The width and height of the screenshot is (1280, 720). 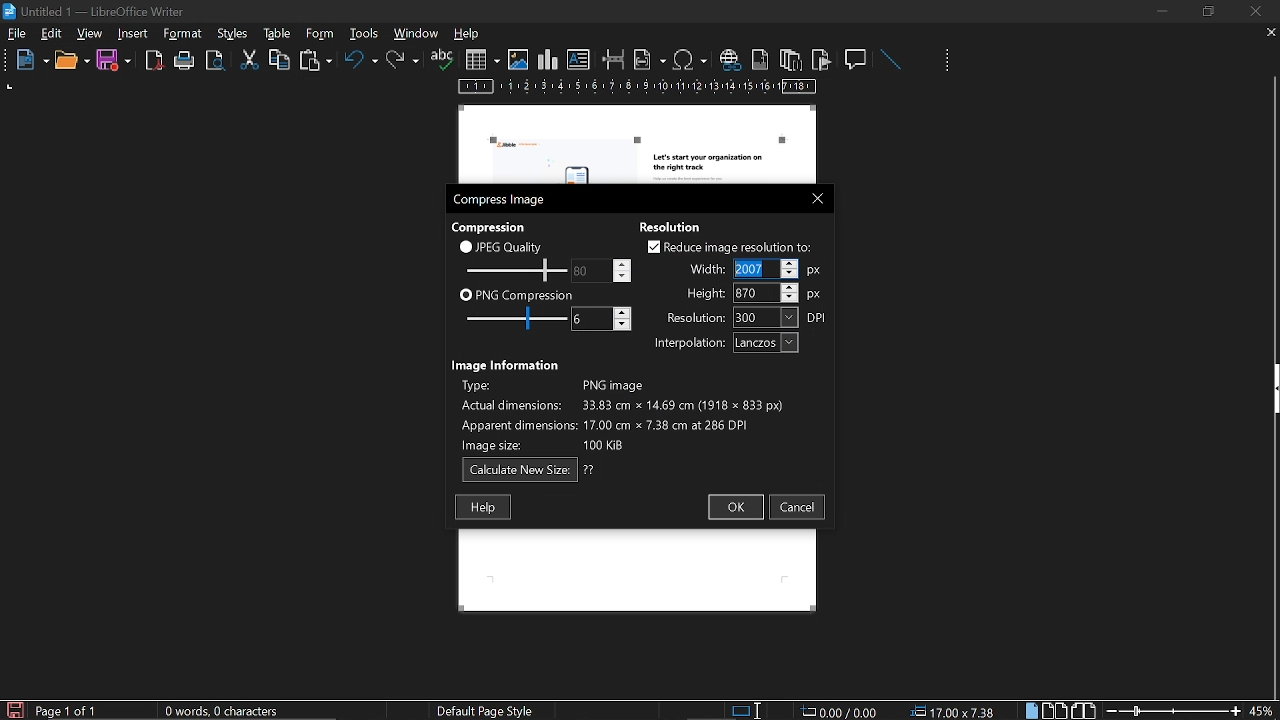 I want to click on close, so click(x=813, y=197).